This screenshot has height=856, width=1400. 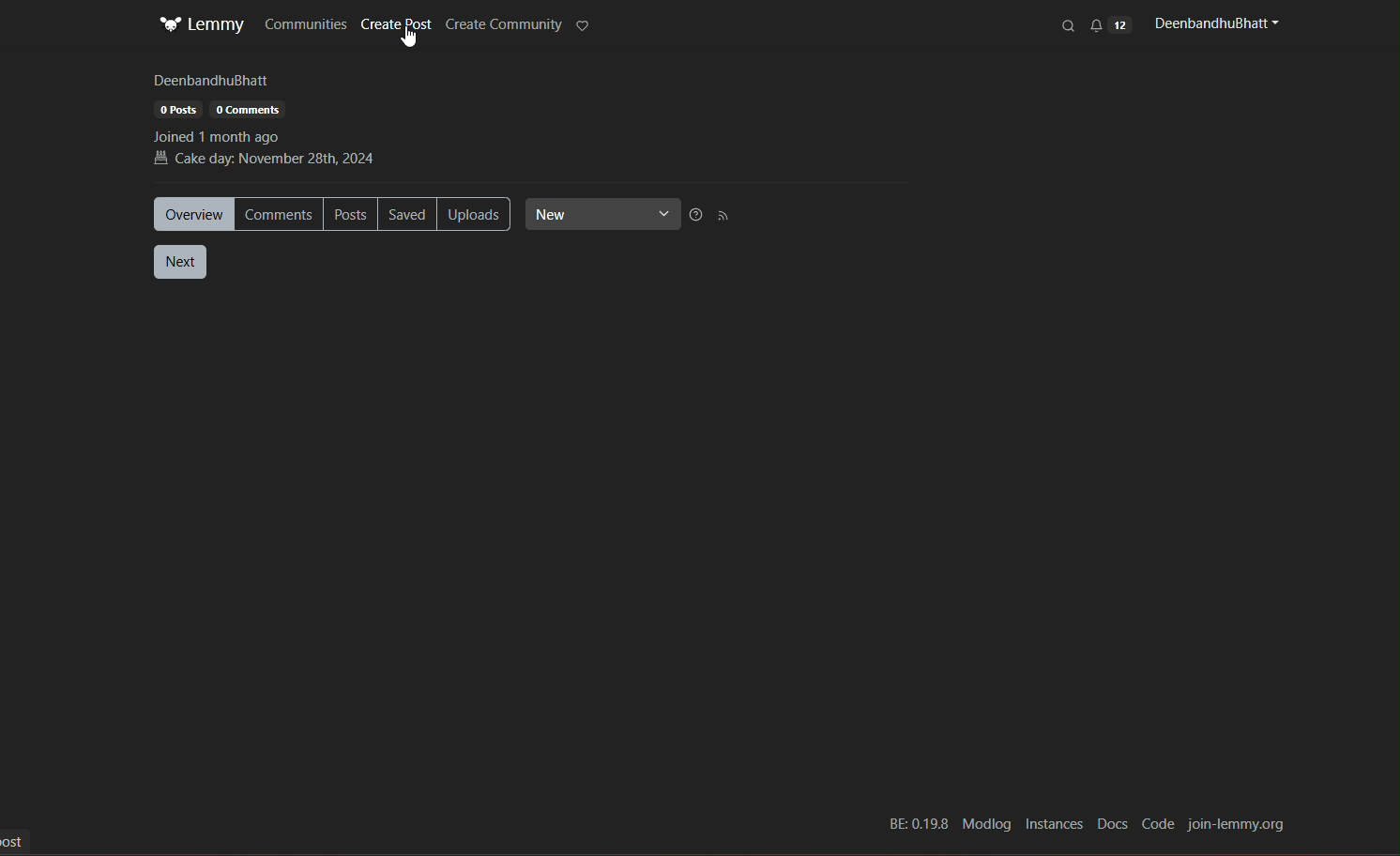 I want to click on profile name, so click(x=1213, y=23).